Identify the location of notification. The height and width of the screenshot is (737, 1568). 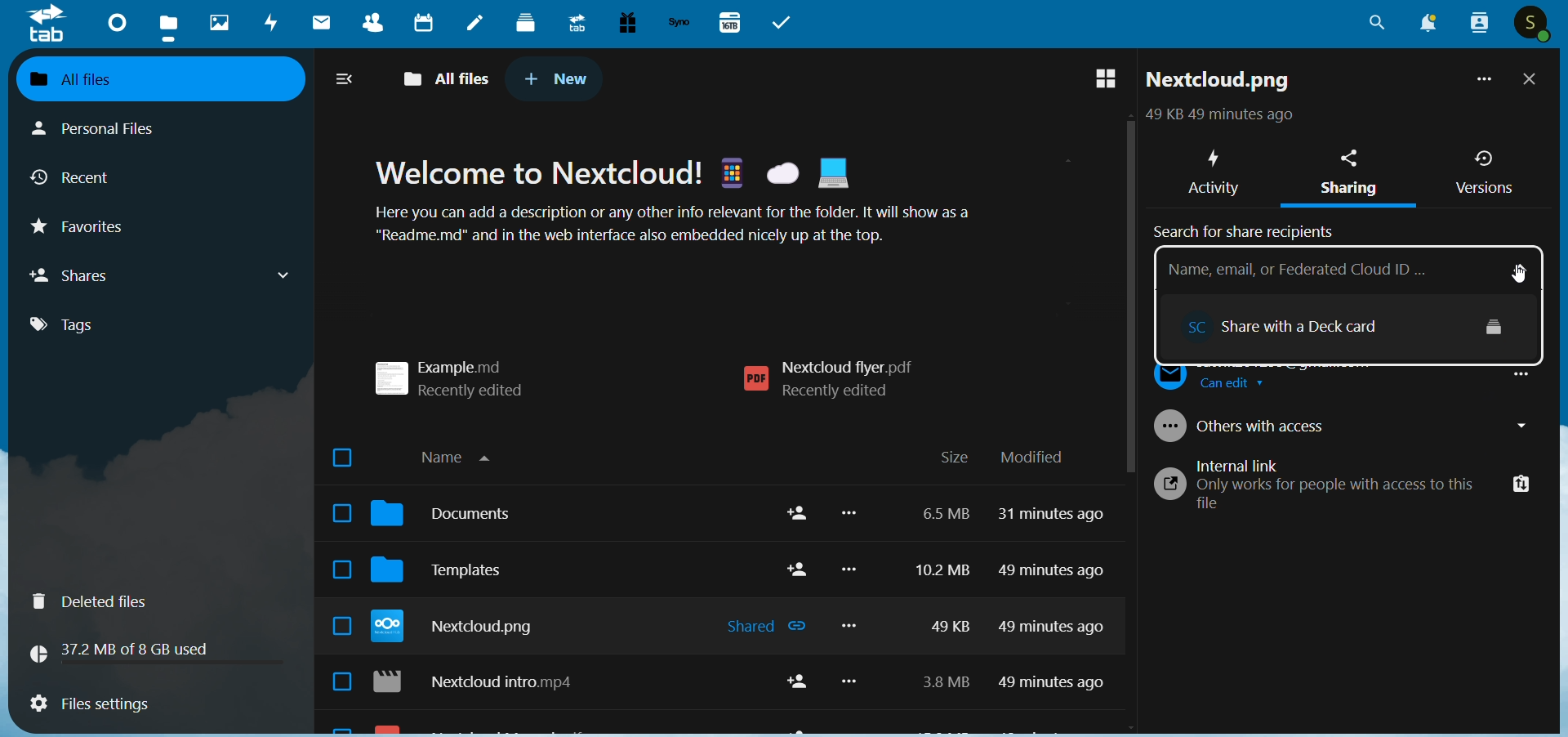
(1424, 25).